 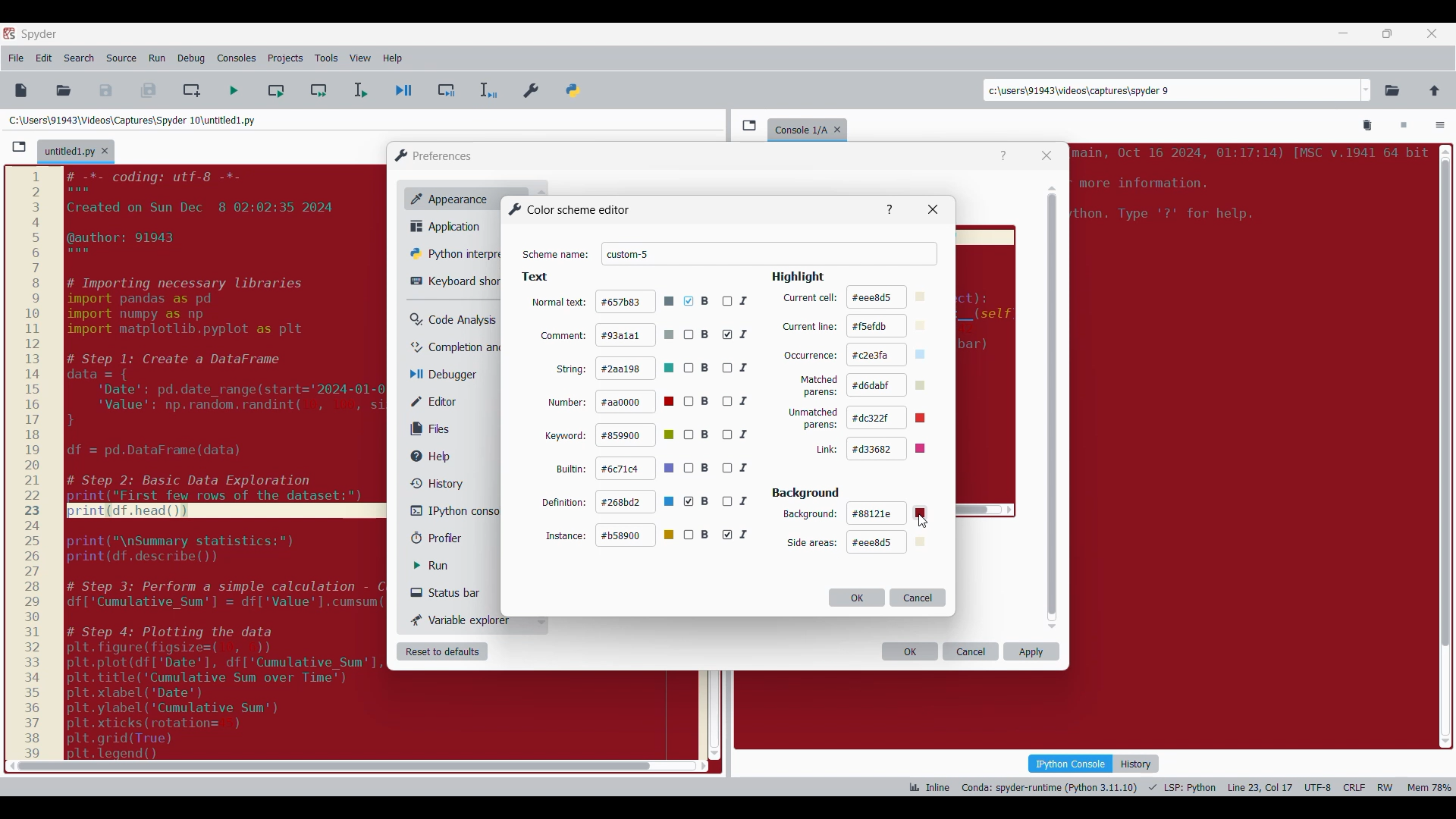 What do you see at coordinates (573, 469) in the screenshot?
I see `builtin` at bounding box center [573, 469].